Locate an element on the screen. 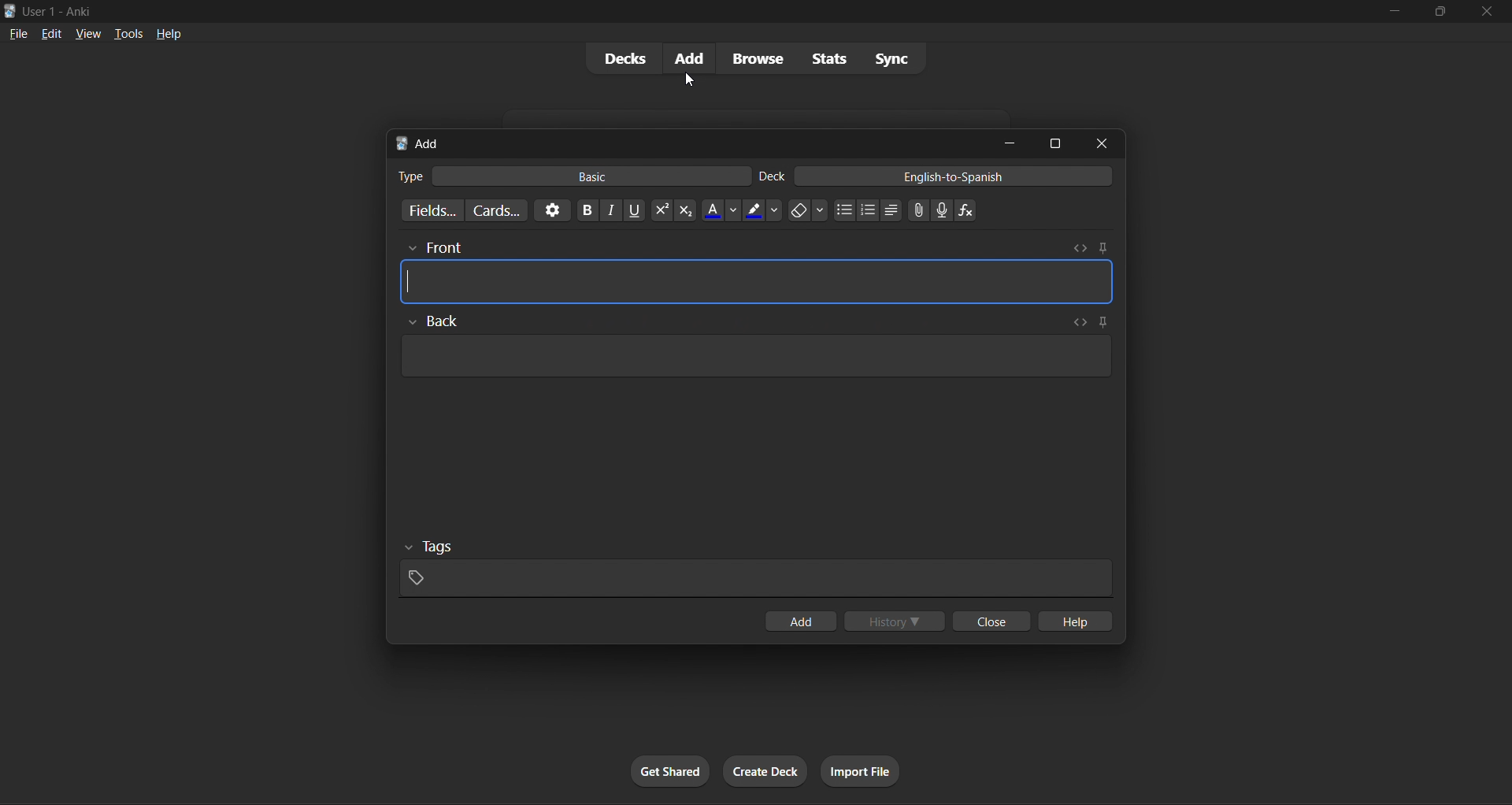 This screenshot has width=1512, height=805. close is located at coordinates (1485, 13).